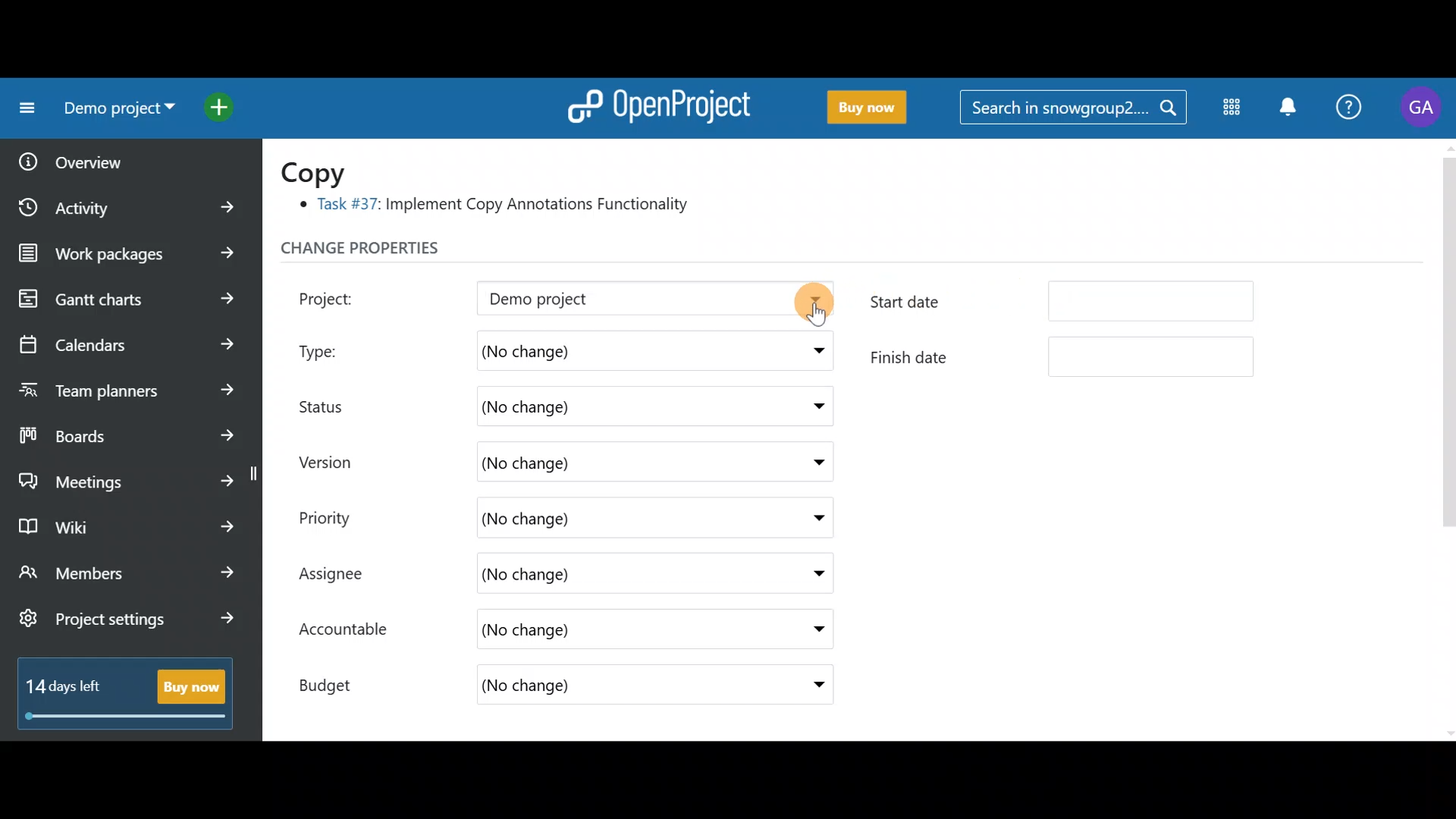 Image resolution: width=1456 pixels, height=819 pixels. I want to click on Team planners, so click(124, 385).